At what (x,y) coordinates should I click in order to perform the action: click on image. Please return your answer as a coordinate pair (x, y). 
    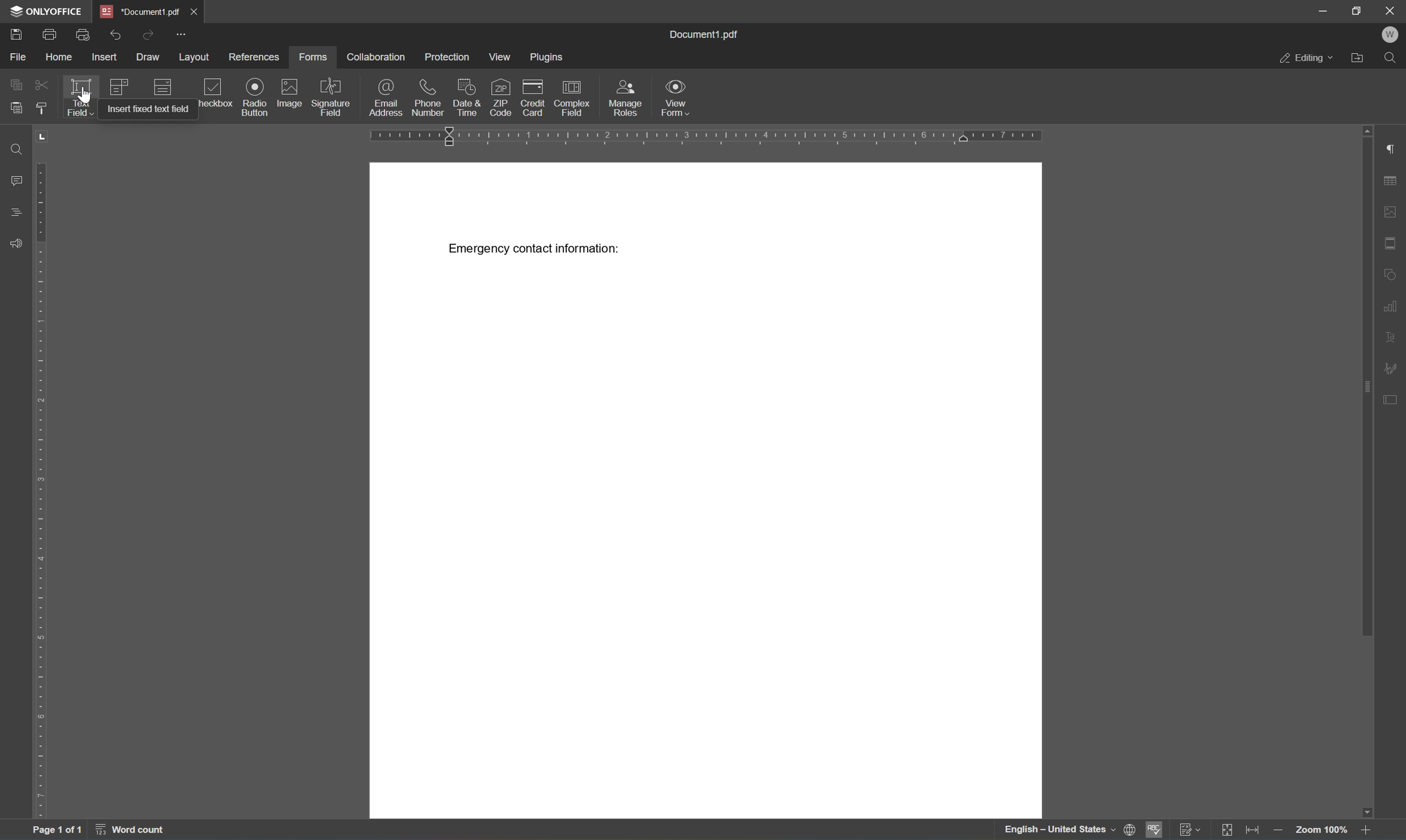
    Looking at the image, I should click on (289, 97).